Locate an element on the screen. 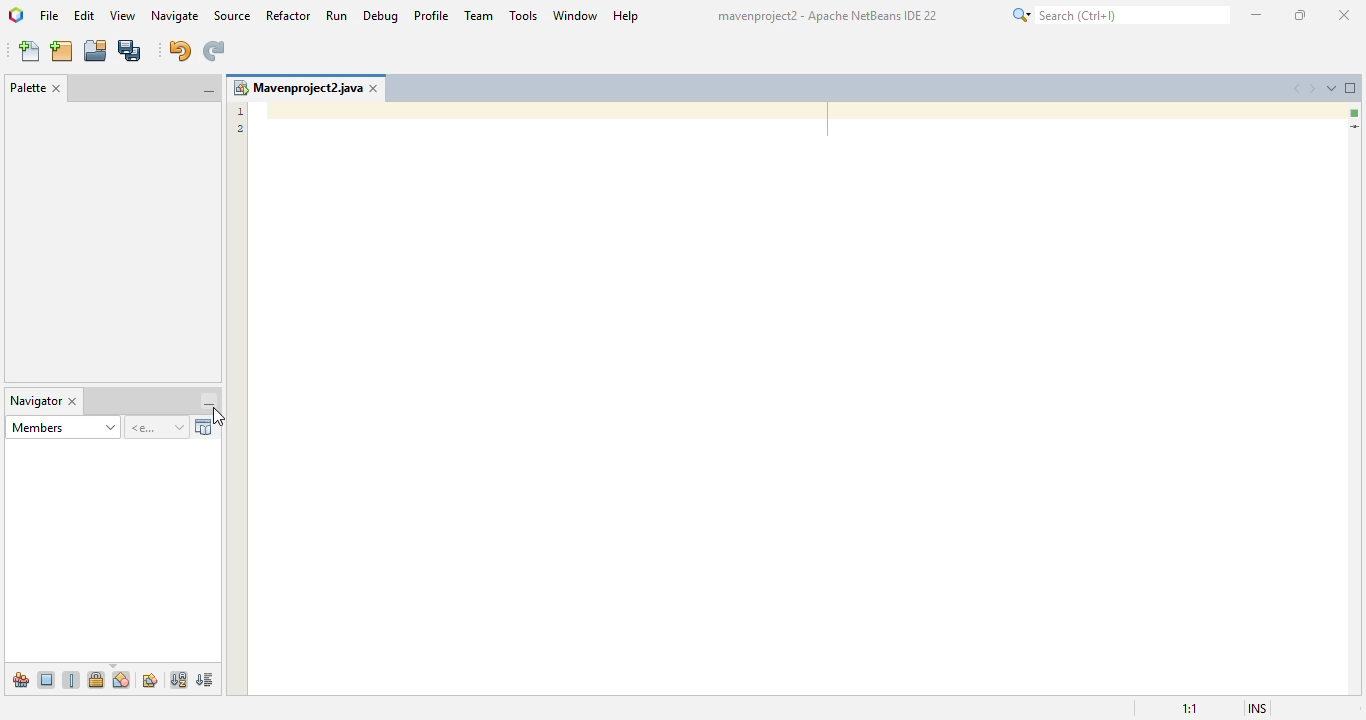 The image size is (1366, 720). refactor is located at coordinates (289, 16).